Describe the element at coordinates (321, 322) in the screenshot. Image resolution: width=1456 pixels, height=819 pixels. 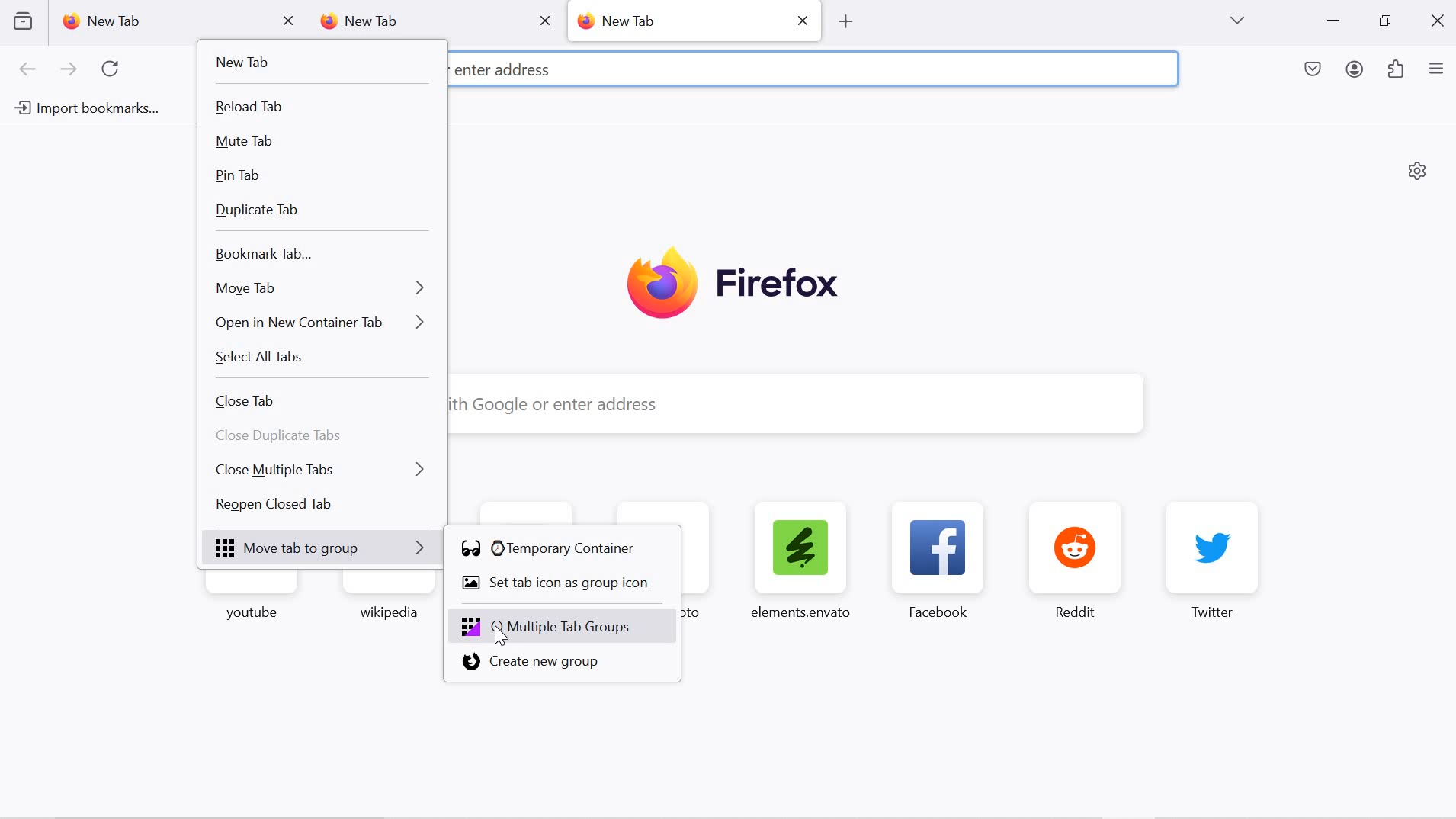
I see `open in new container tab` at that location.